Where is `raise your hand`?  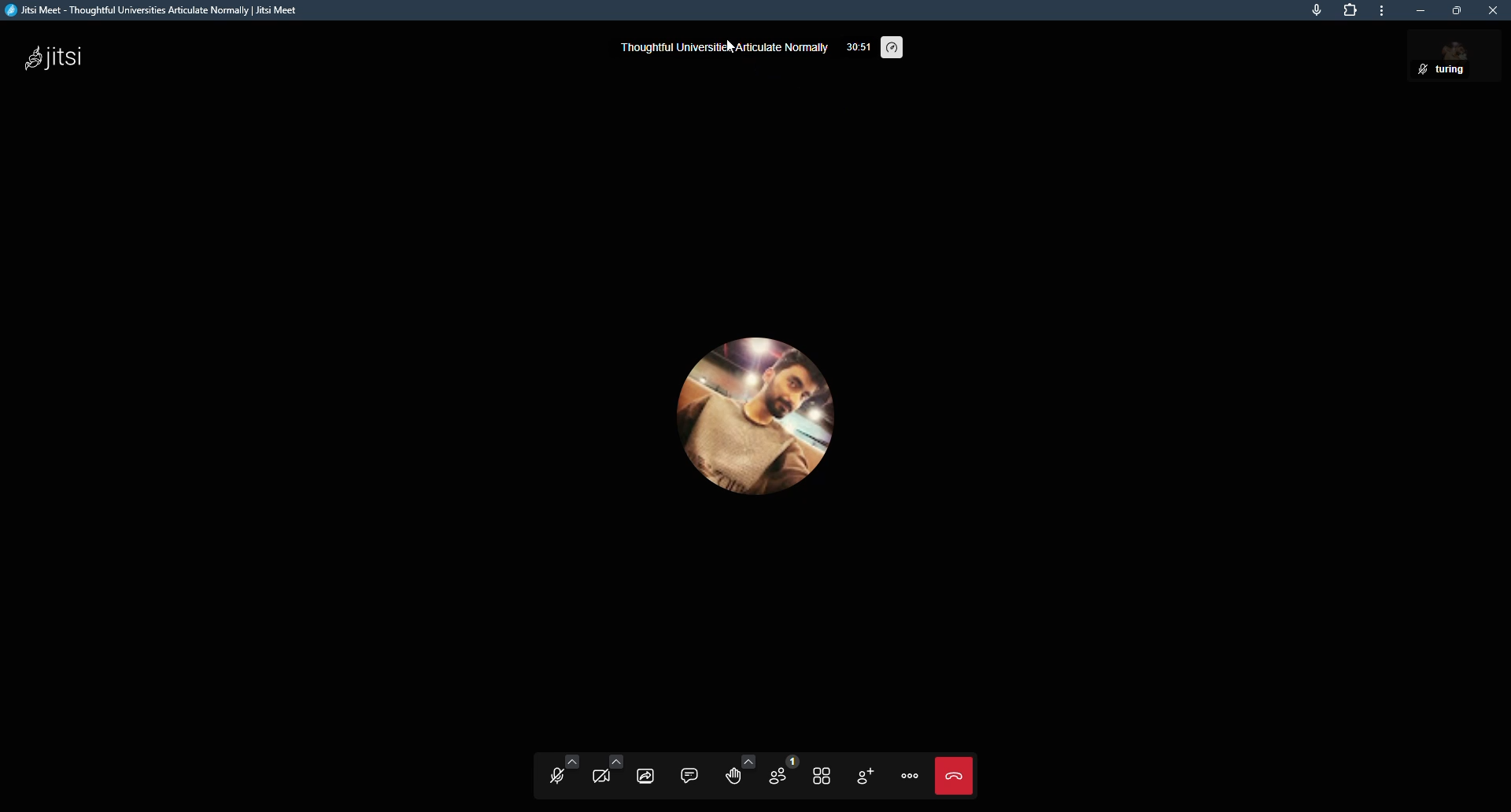 raise your hand is located at coordinates (734, 771).